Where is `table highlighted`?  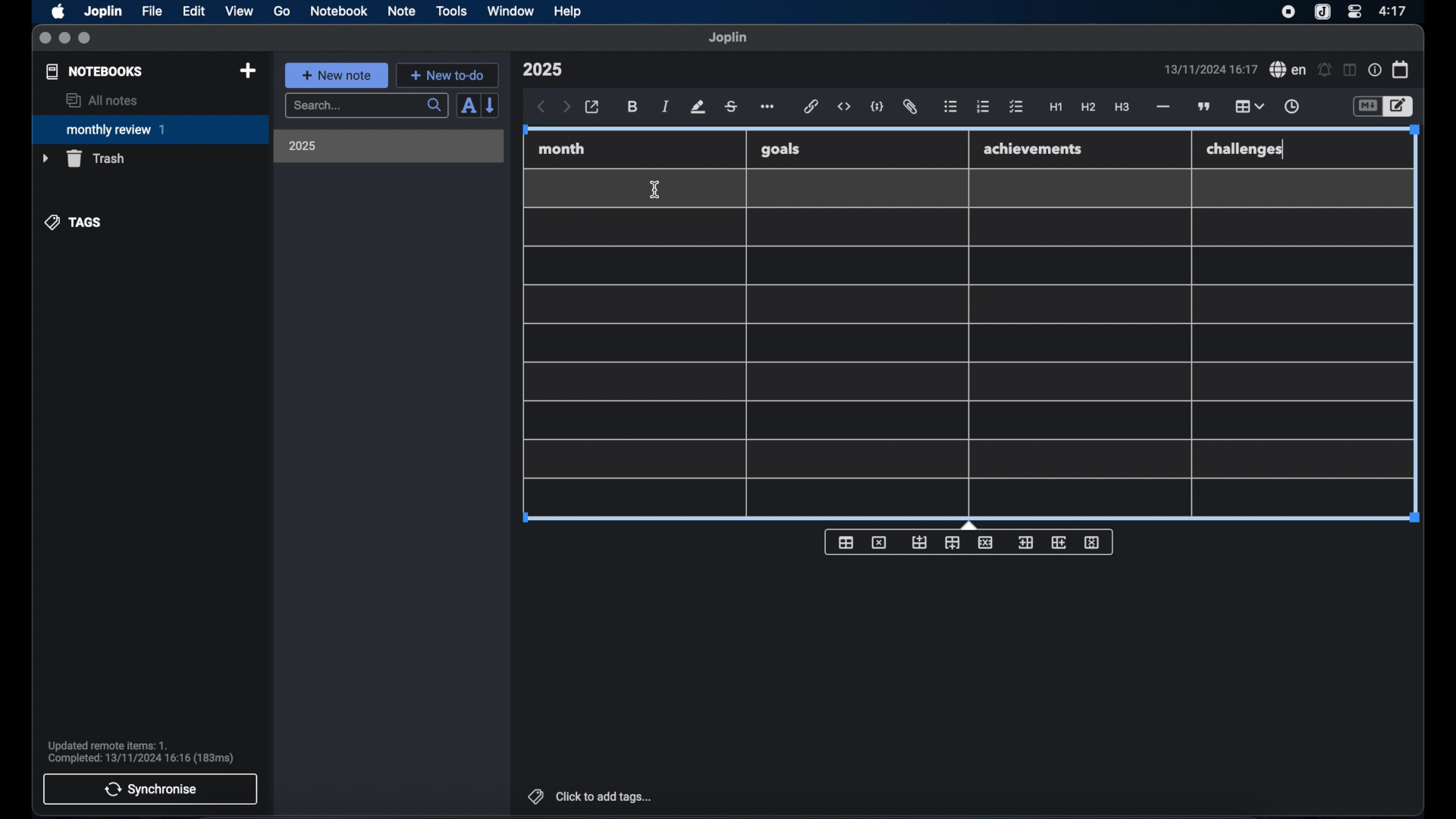
table highlighted is located at coordinates (1247, 106).